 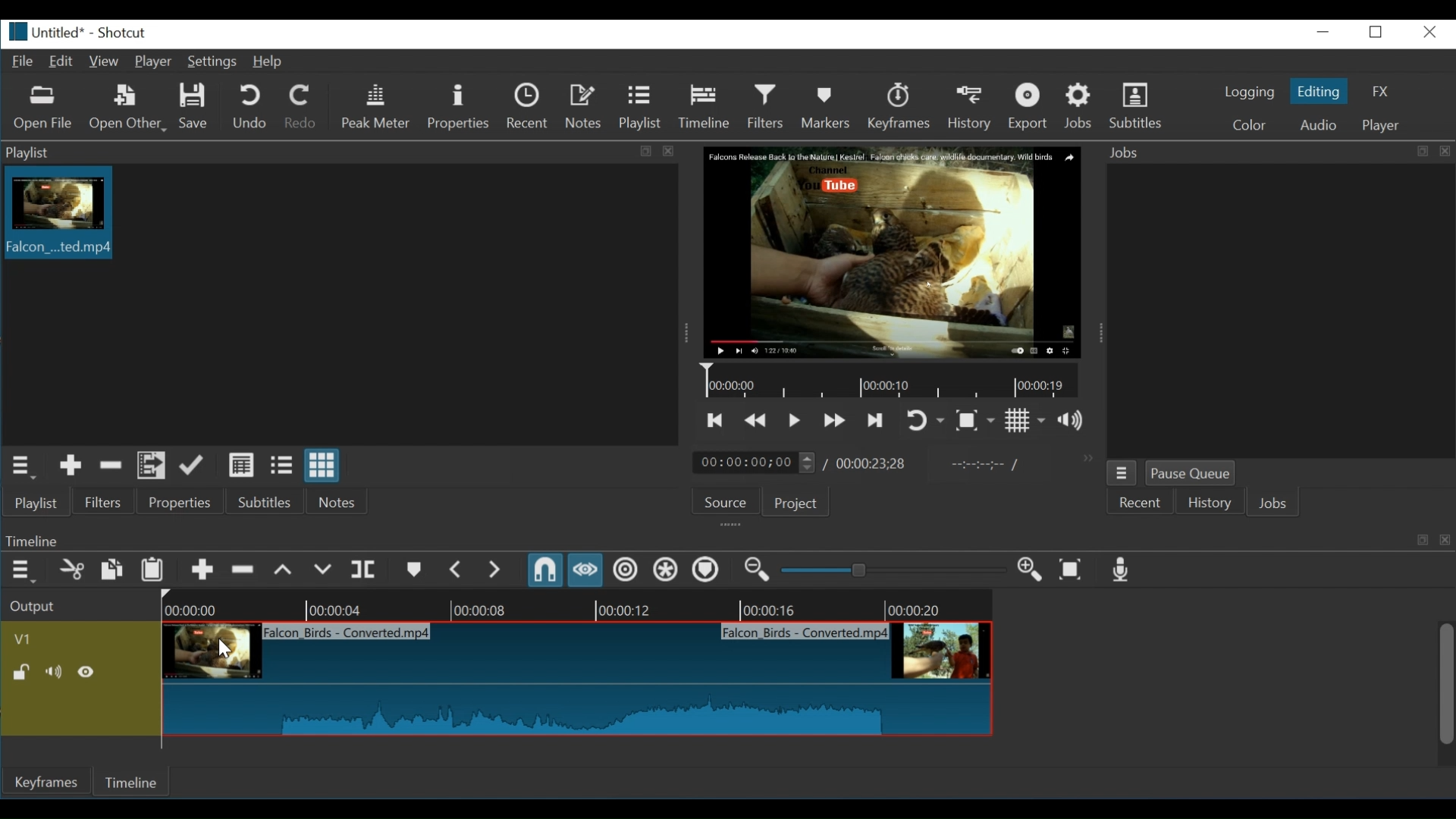 What do you see at coordinates (1272, 504) in the screenshot?
I see `Jobs` at bounding box center [1272, 504].